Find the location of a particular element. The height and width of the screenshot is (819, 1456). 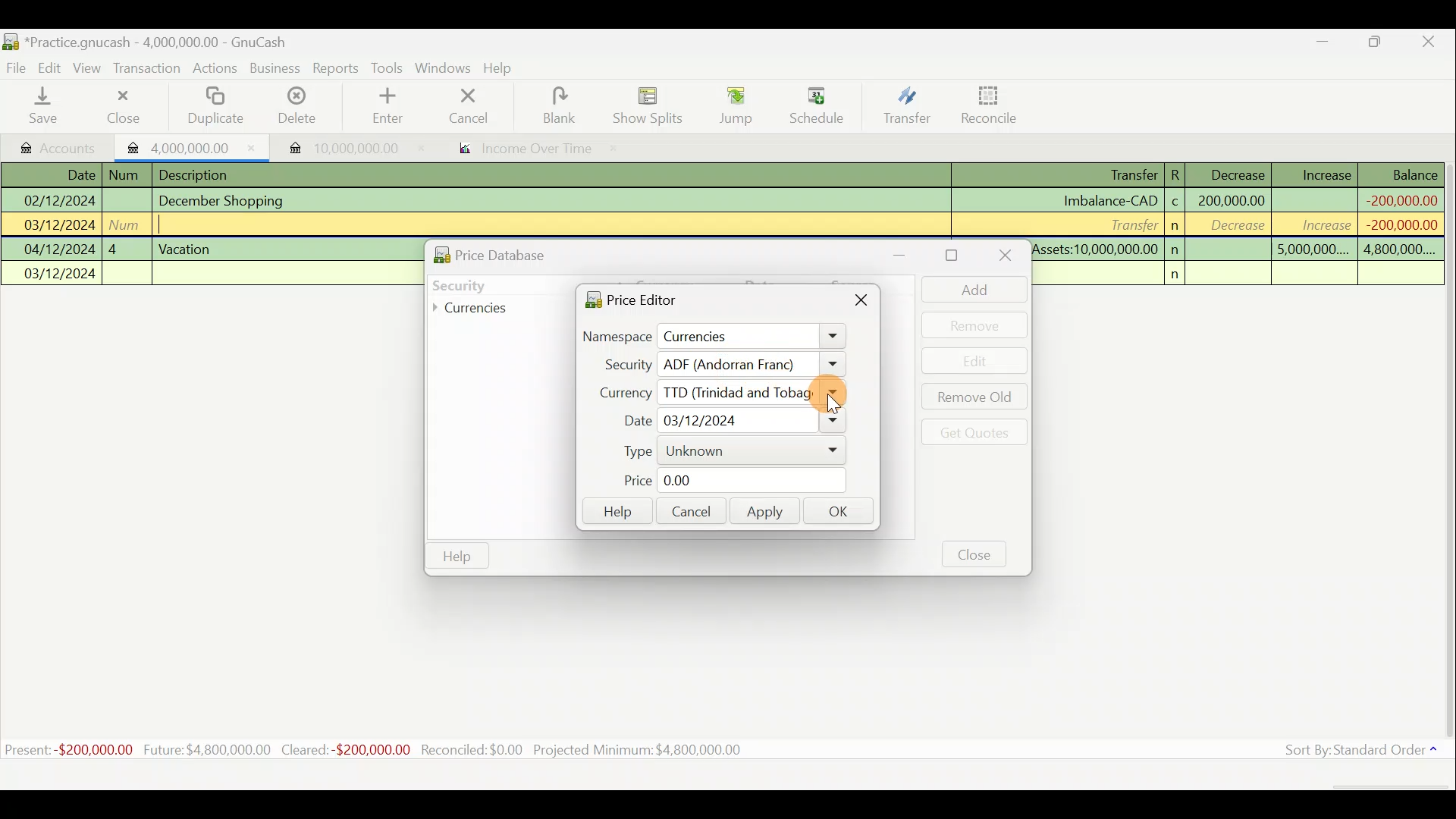

cancel is located at coordinates (485, 108).